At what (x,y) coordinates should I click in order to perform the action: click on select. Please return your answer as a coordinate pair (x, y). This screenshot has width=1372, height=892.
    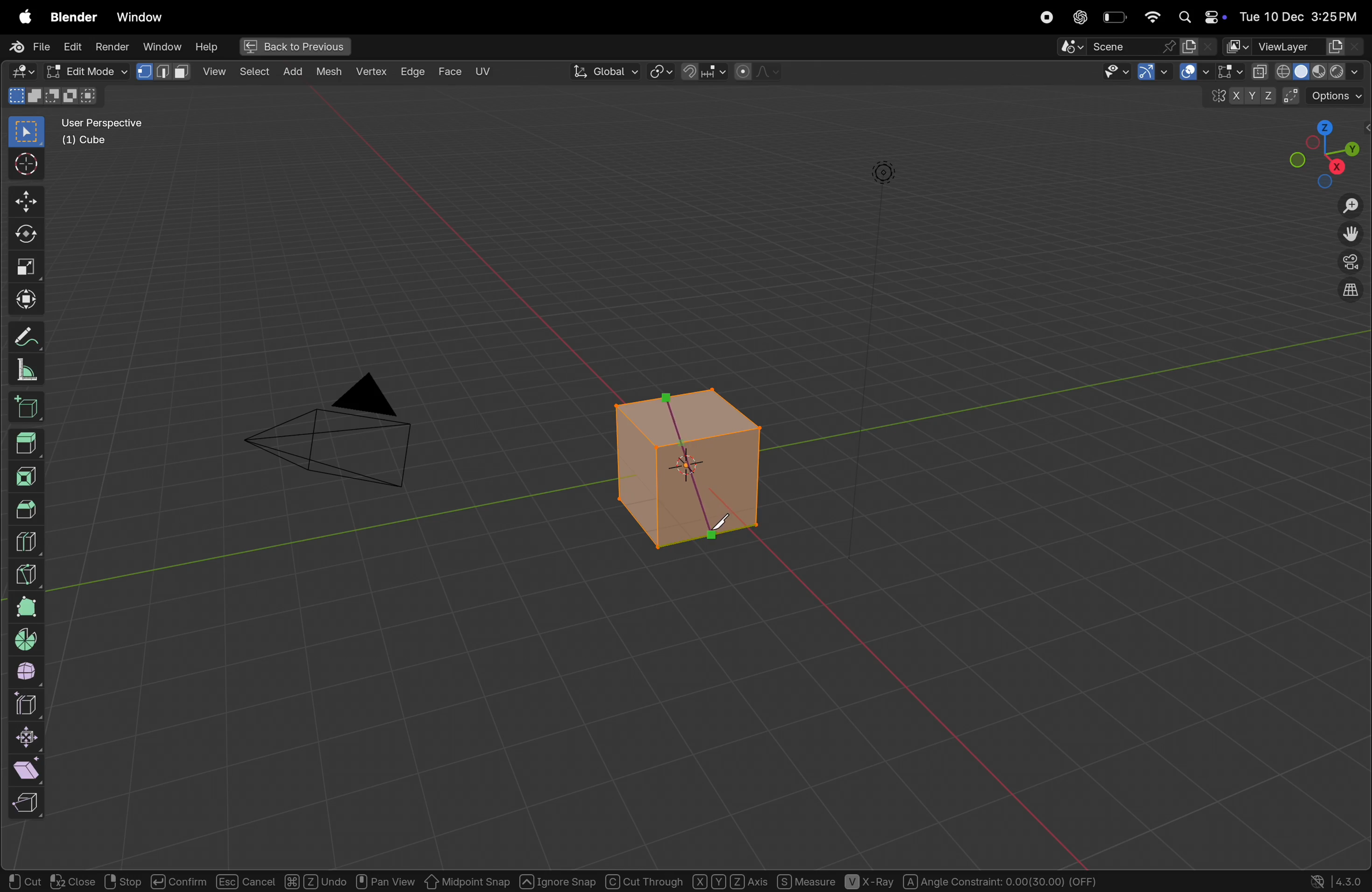
    Looking at the image, I should click on (216, 71).